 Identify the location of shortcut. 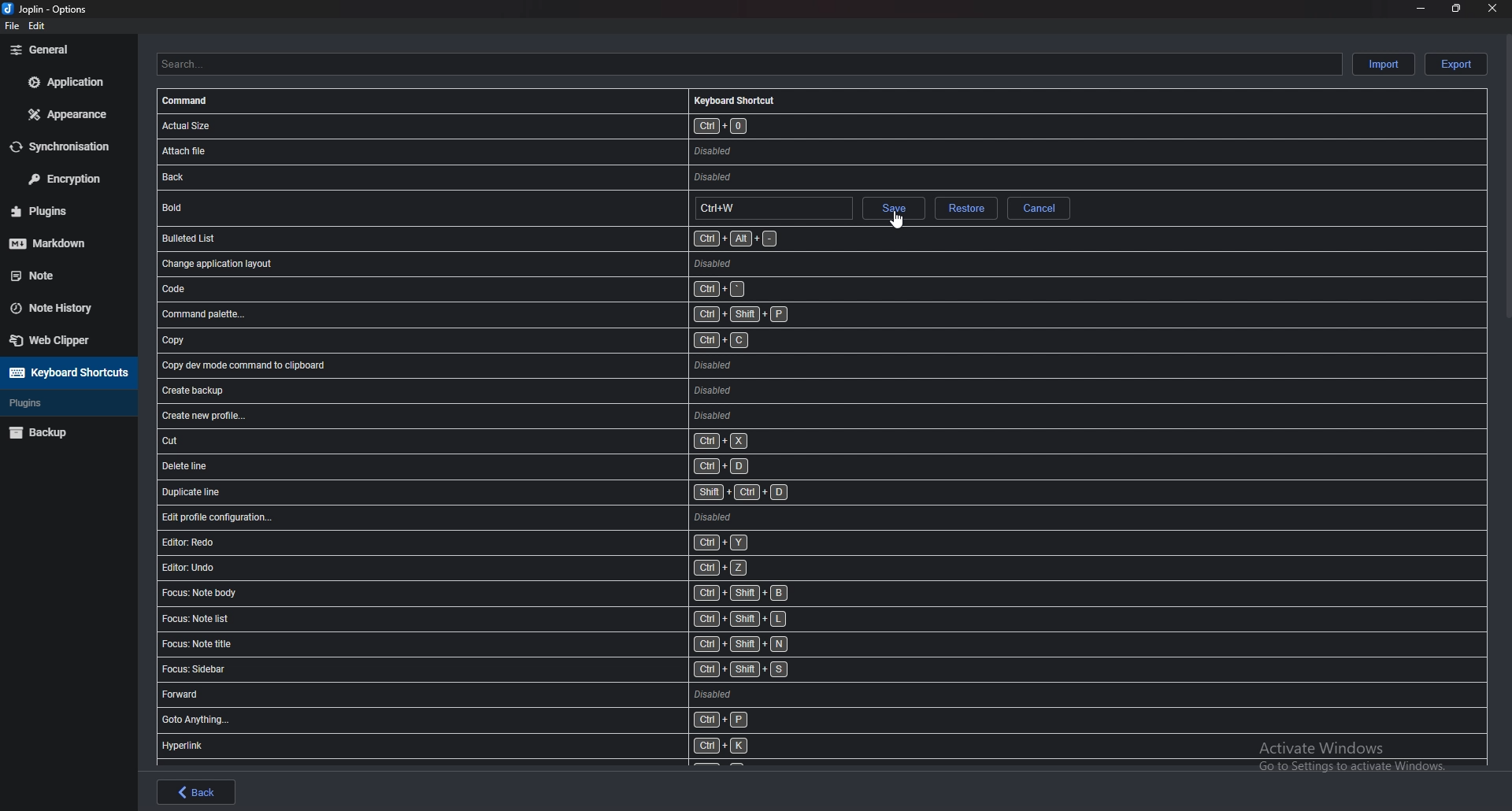
(506, 339).